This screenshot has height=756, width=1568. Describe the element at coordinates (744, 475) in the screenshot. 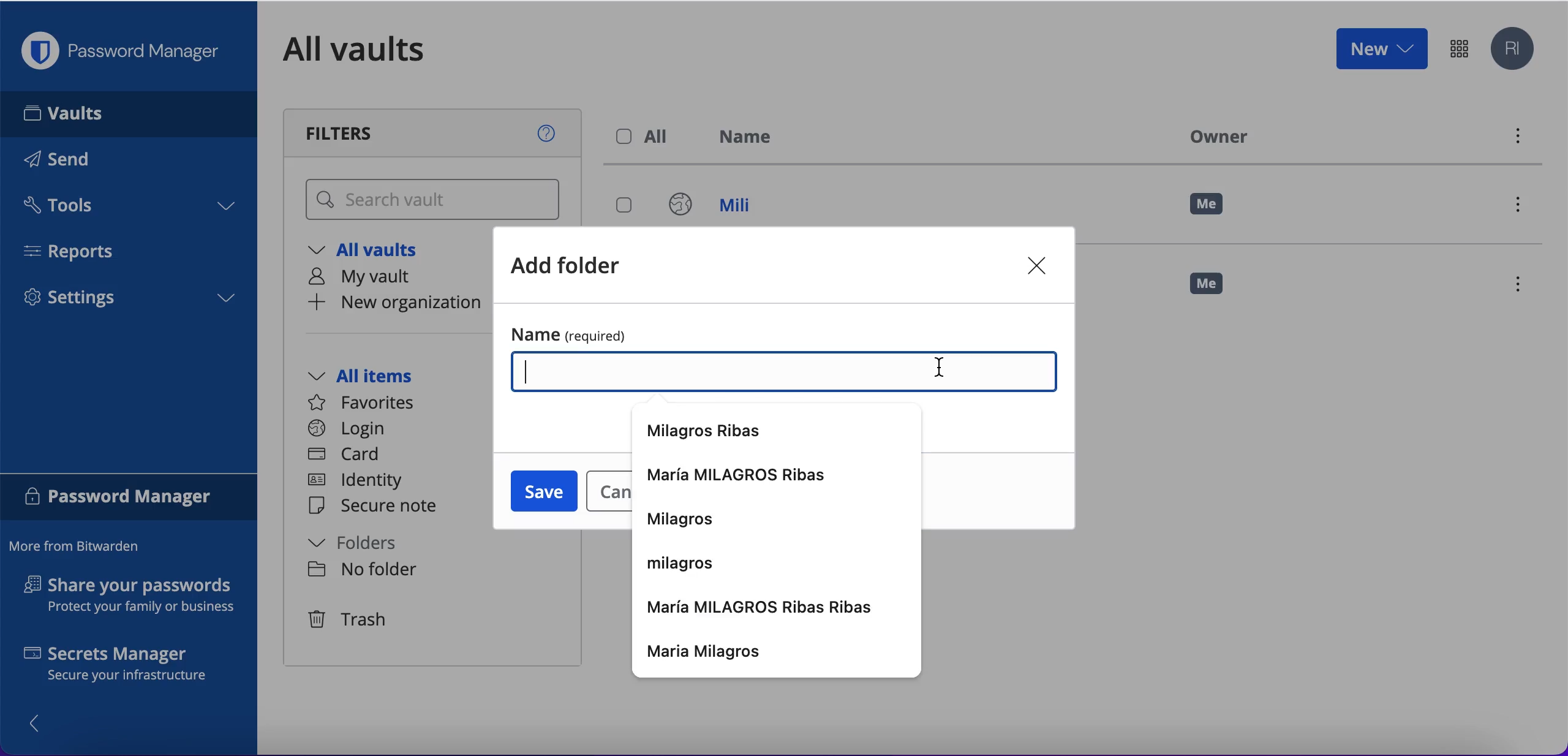

I see `maria milagros ribas` at that location.